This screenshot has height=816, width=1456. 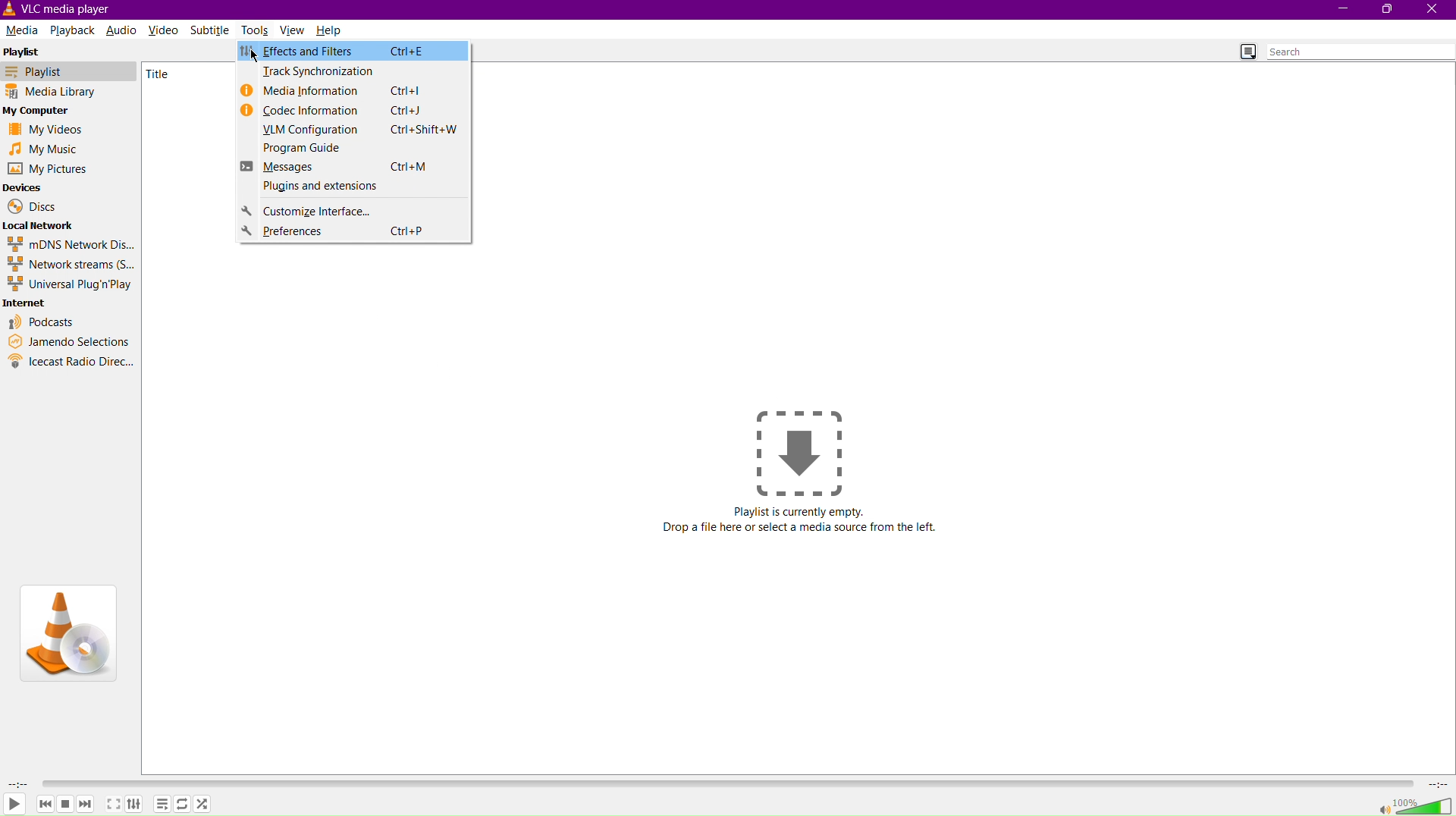 What do you see at coordinates (24, 187) in the screenshot?
I see `Devices` at bounding box center [24, 187].